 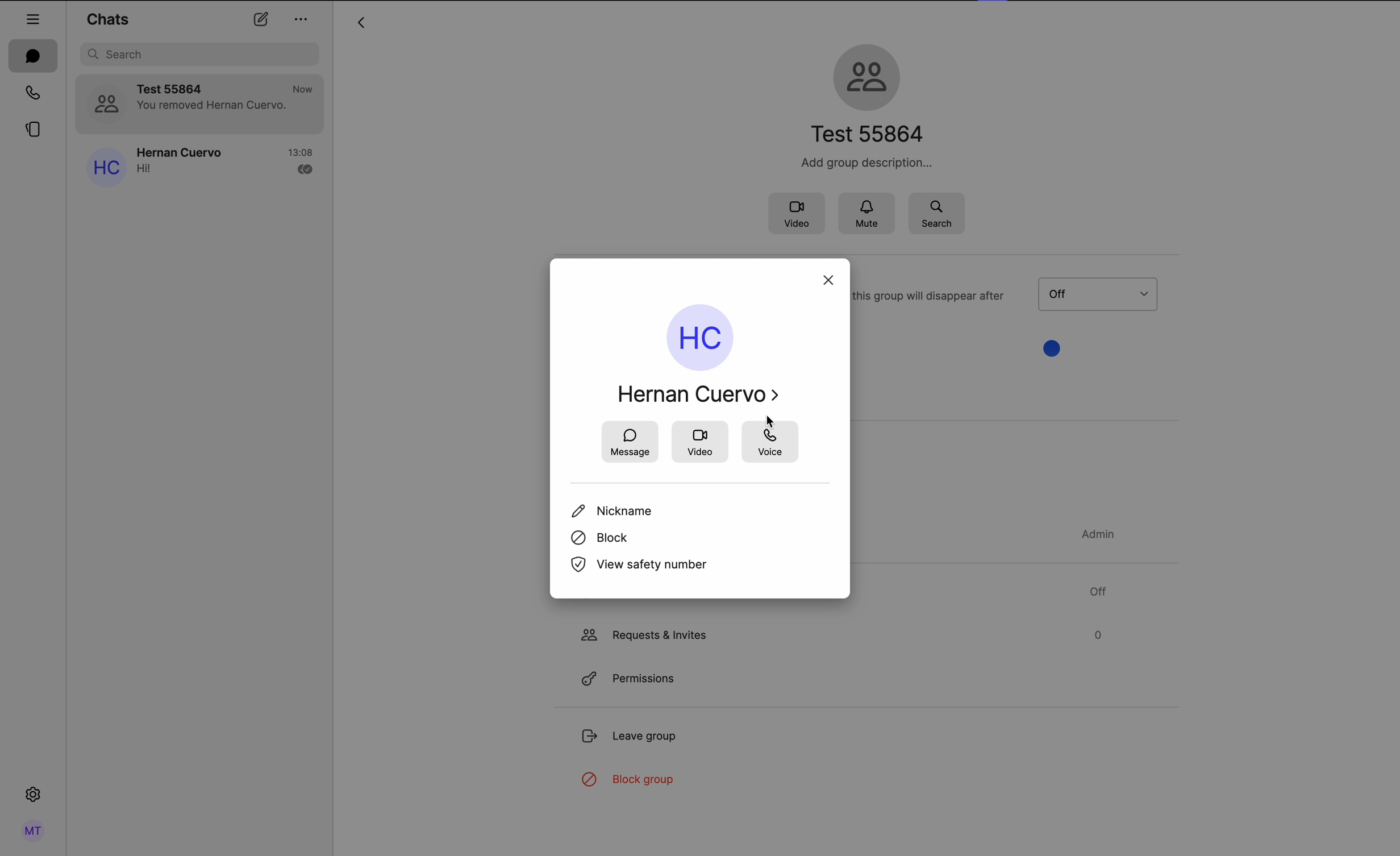 I want to click on calls, so click(x=30, y=94).